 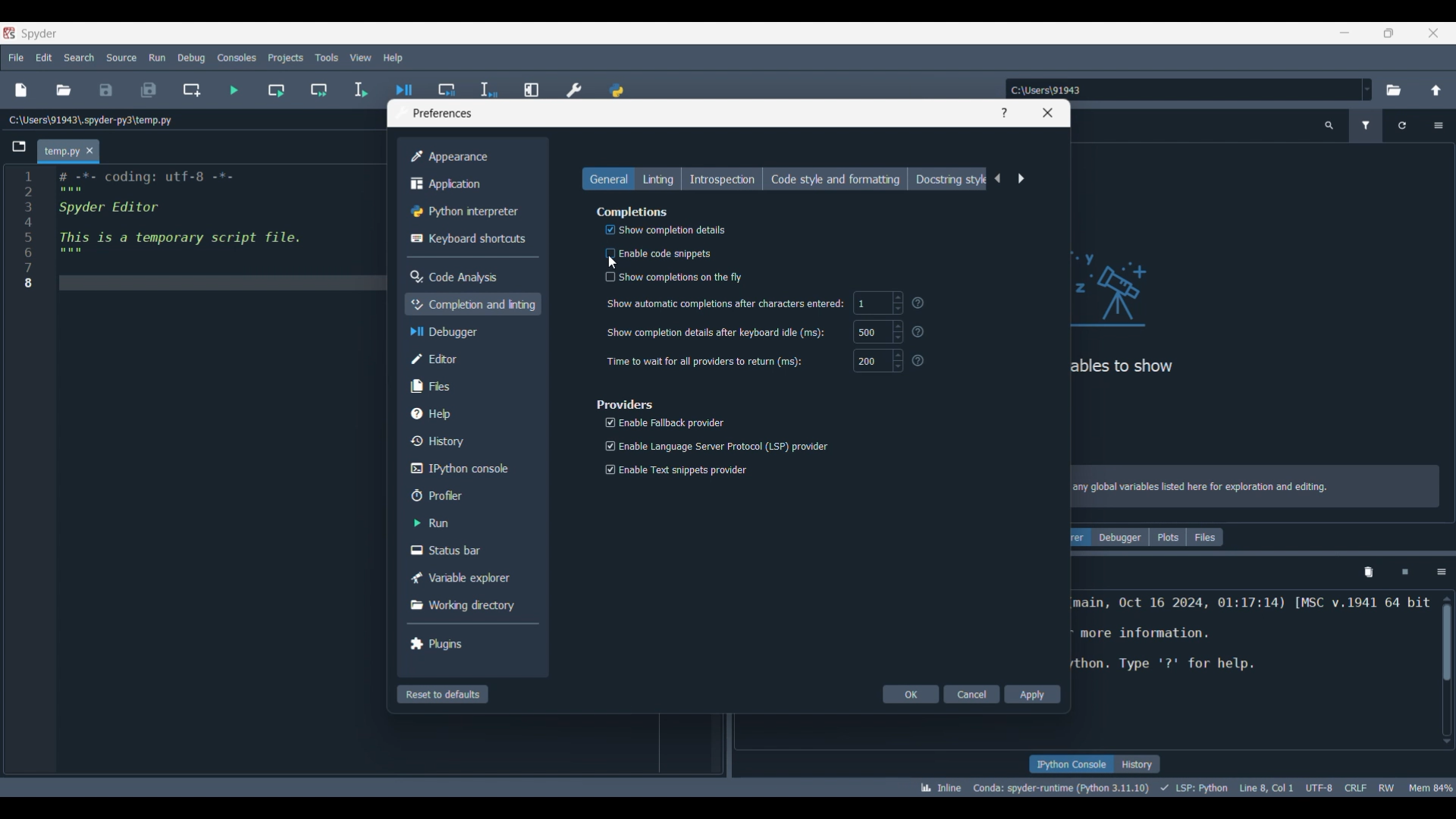 I want to click on Completion and linting, current selection highlighted, so click(x=472, y=304).